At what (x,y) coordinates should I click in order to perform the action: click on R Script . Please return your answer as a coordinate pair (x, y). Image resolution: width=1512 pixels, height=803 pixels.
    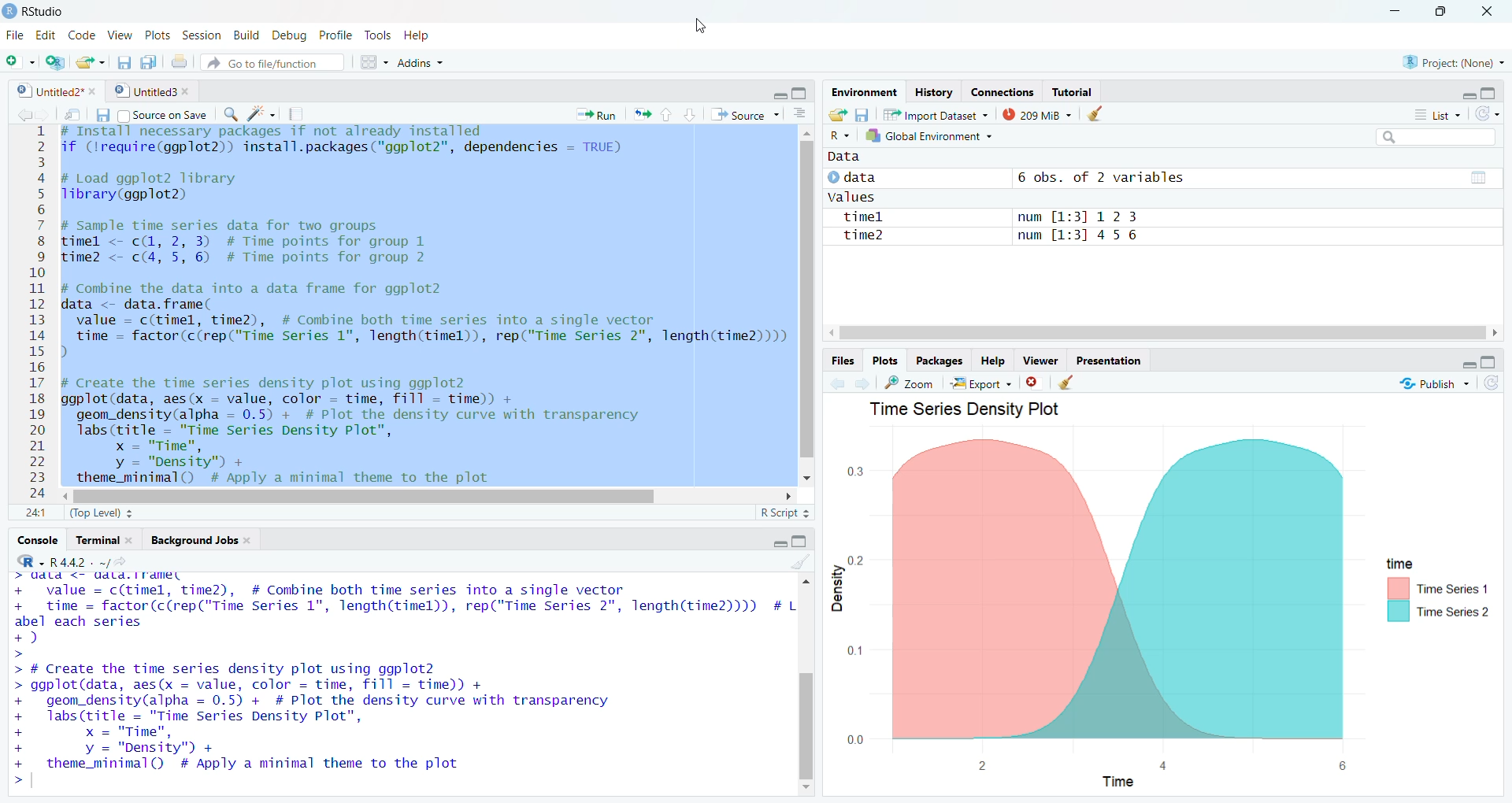
    Looking at the image, I should click on (784, 514).